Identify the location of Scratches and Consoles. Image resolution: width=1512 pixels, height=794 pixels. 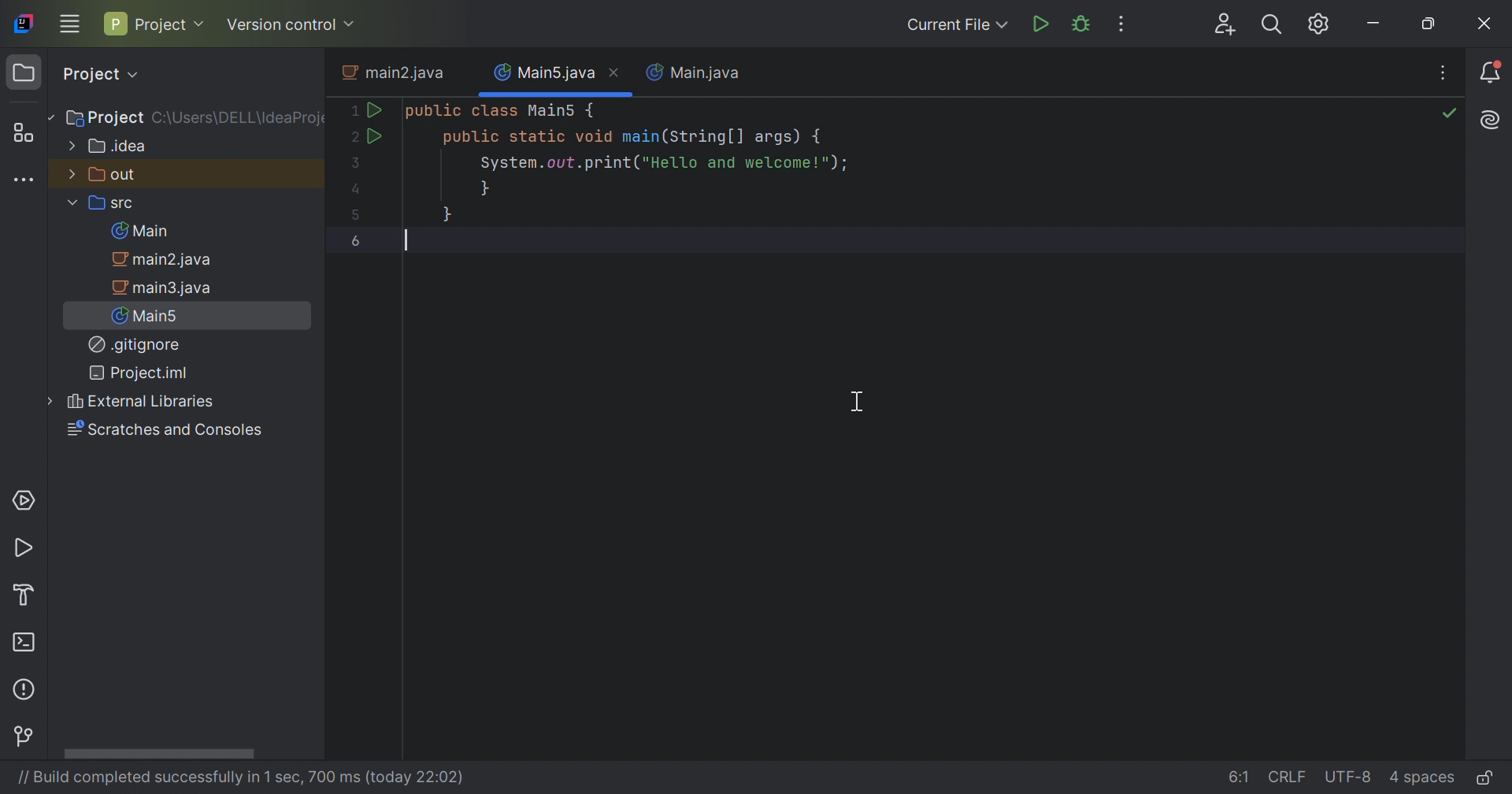
(164, 431).